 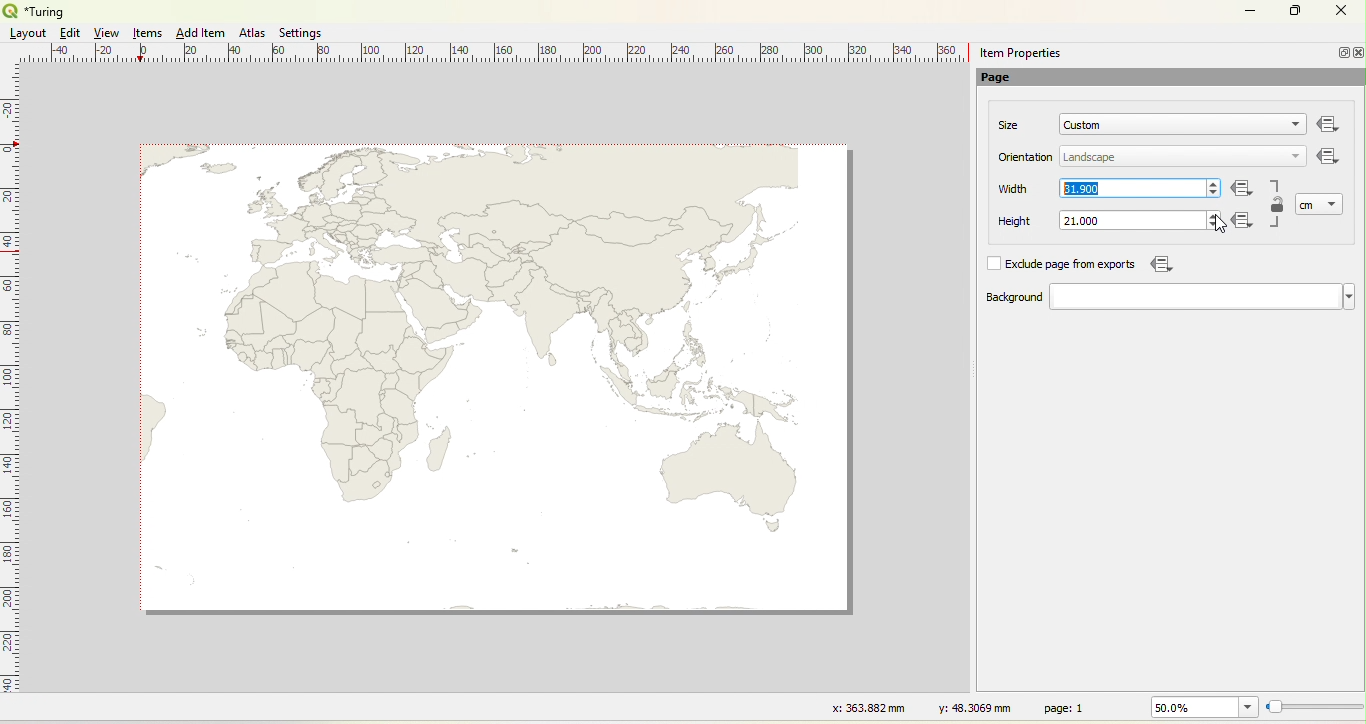 What do you see at coordinates (1315, 708) in the screenshot?
I see `Resize` at bounding box center [1315, 708].